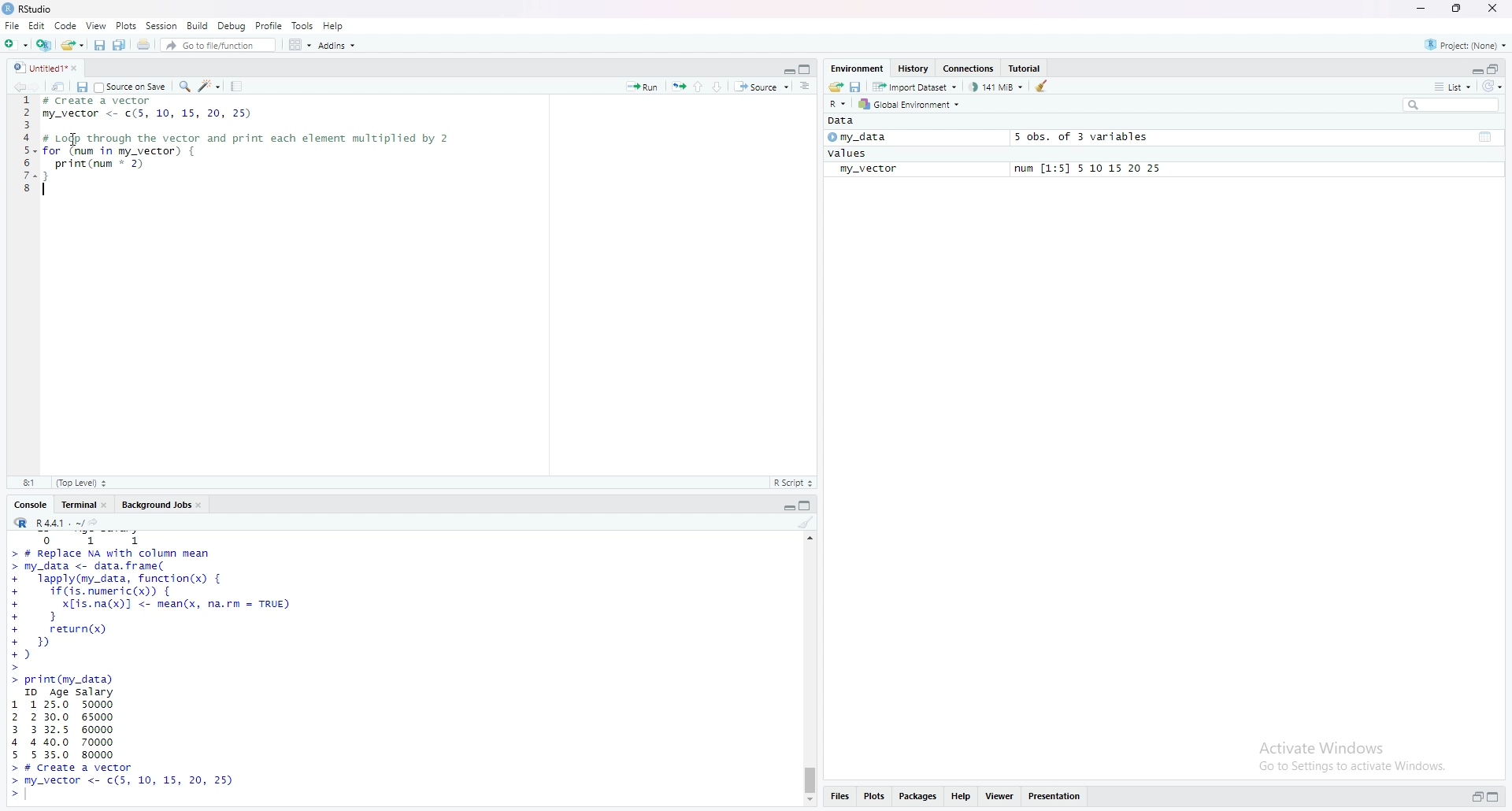 This screenshot has width=1512, height=811. Describe the element at coordinates (269, 25) in the screenshot. I see `profile` at that location.